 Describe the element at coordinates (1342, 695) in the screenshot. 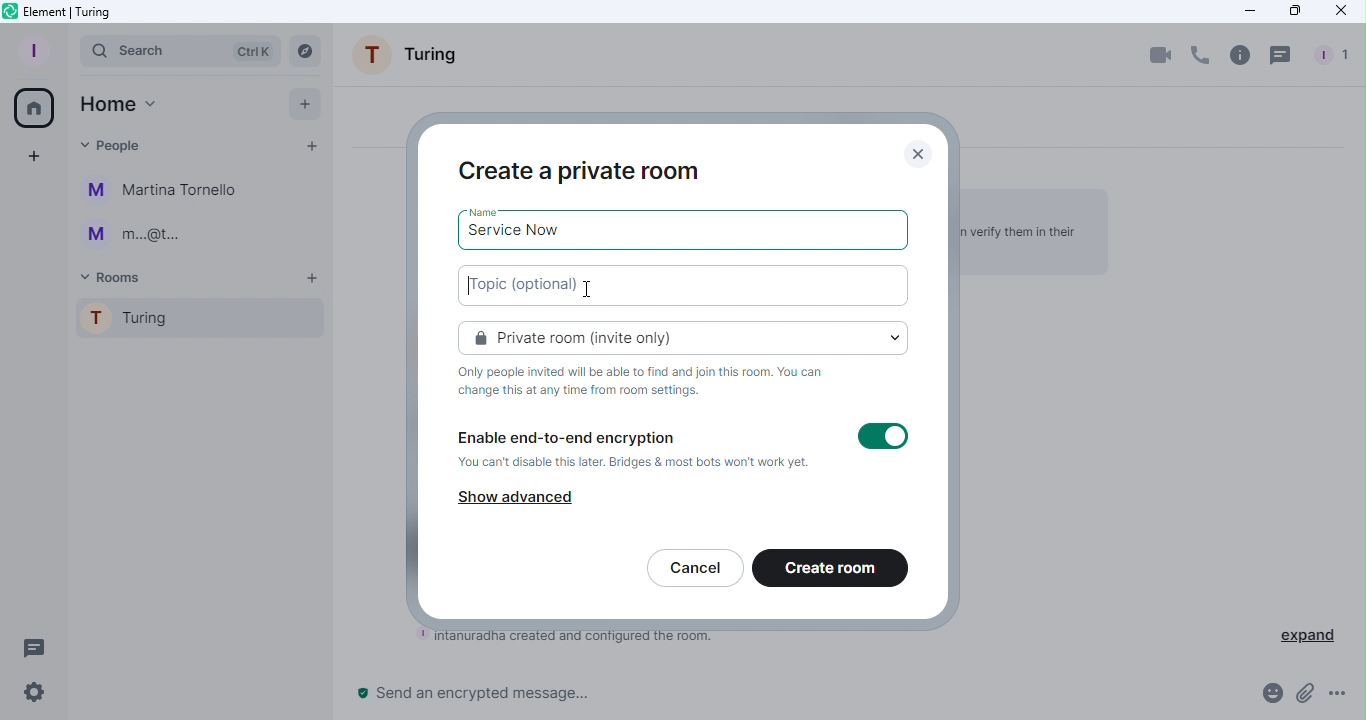

I see `More Options` at that location.